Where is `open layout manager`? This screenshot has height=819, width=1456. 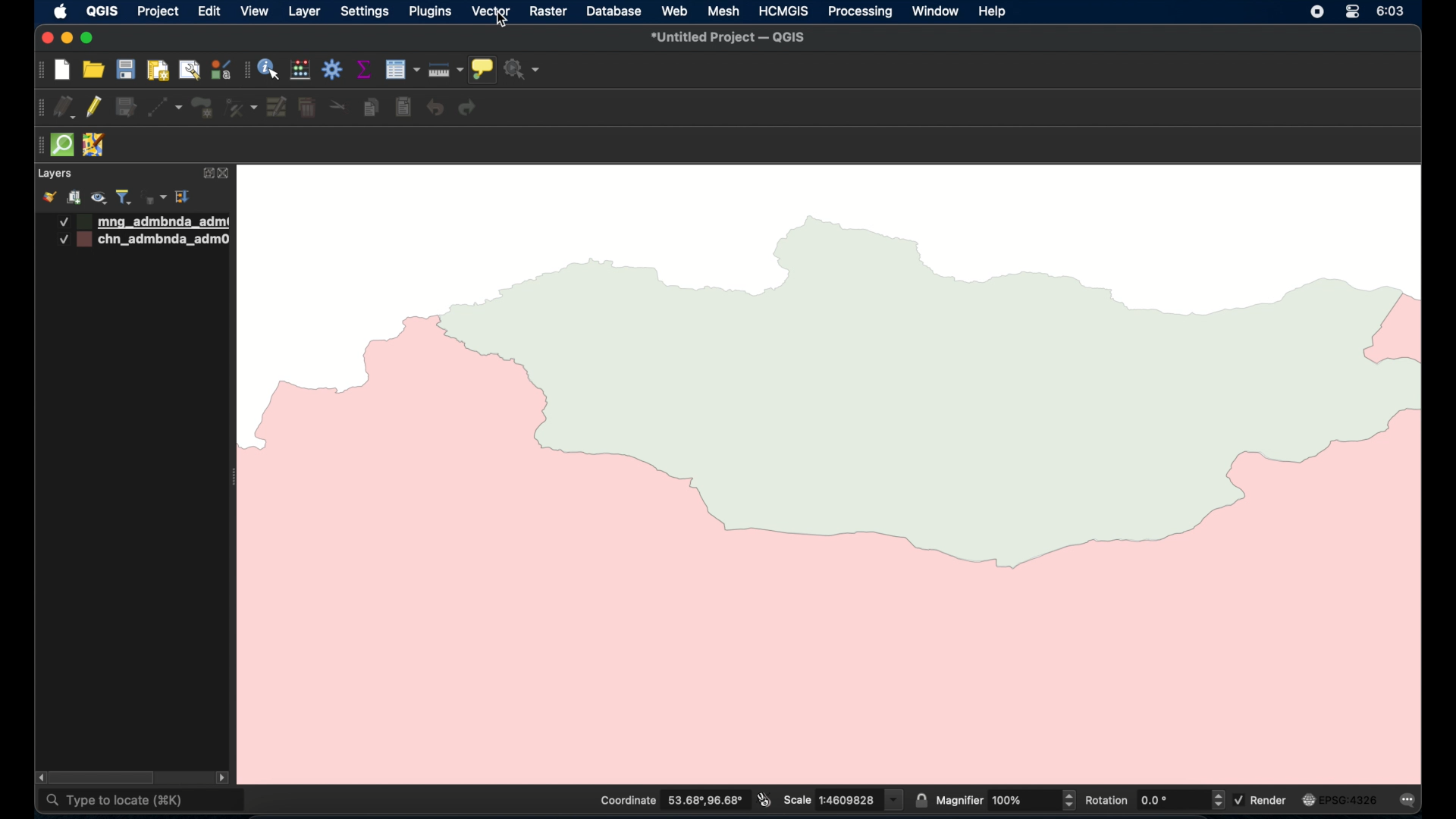 open layout manager is located at coordinates (189, 71).